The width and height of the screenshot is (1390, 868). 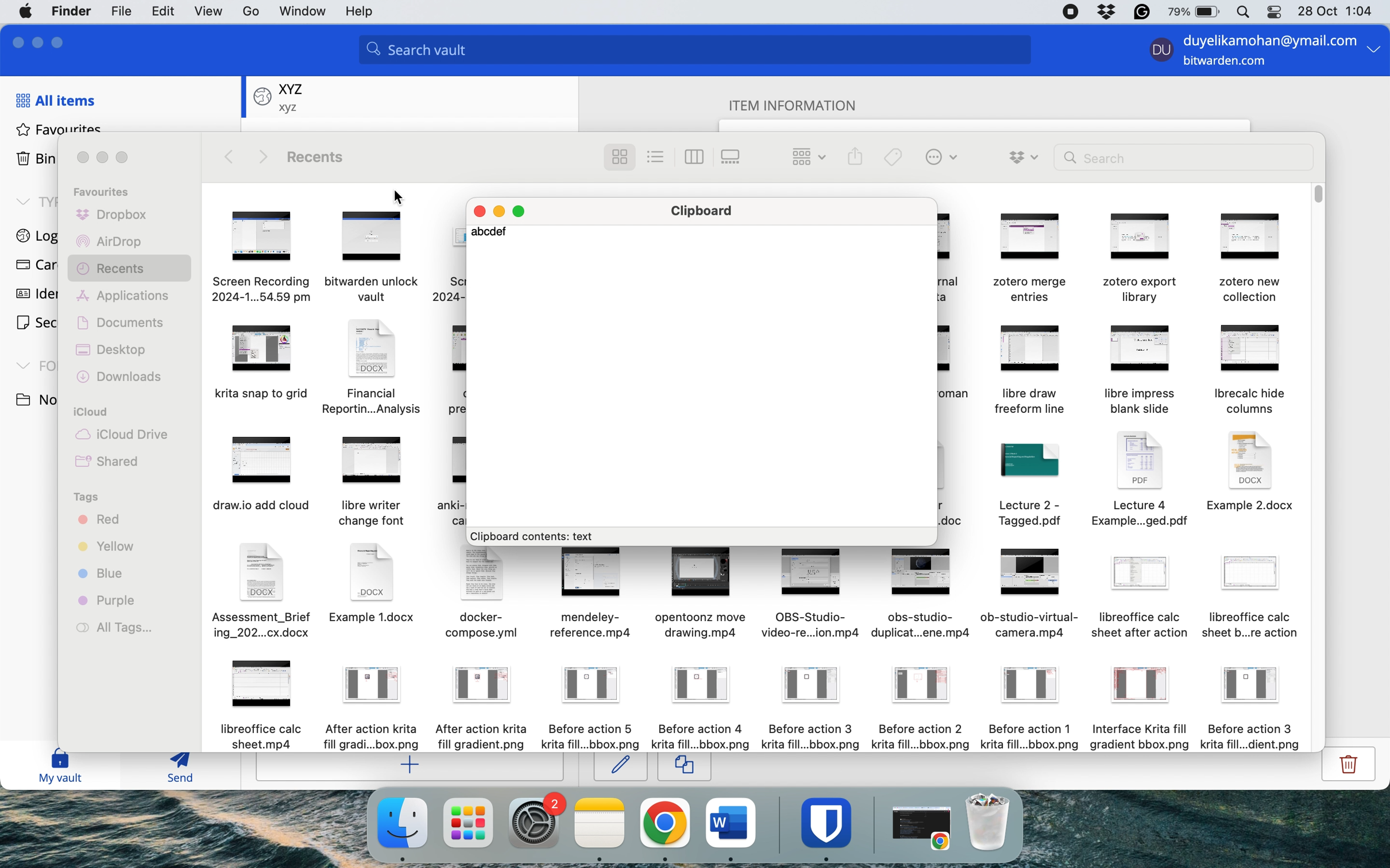 I want to click on close, so click(x=15, y=41).